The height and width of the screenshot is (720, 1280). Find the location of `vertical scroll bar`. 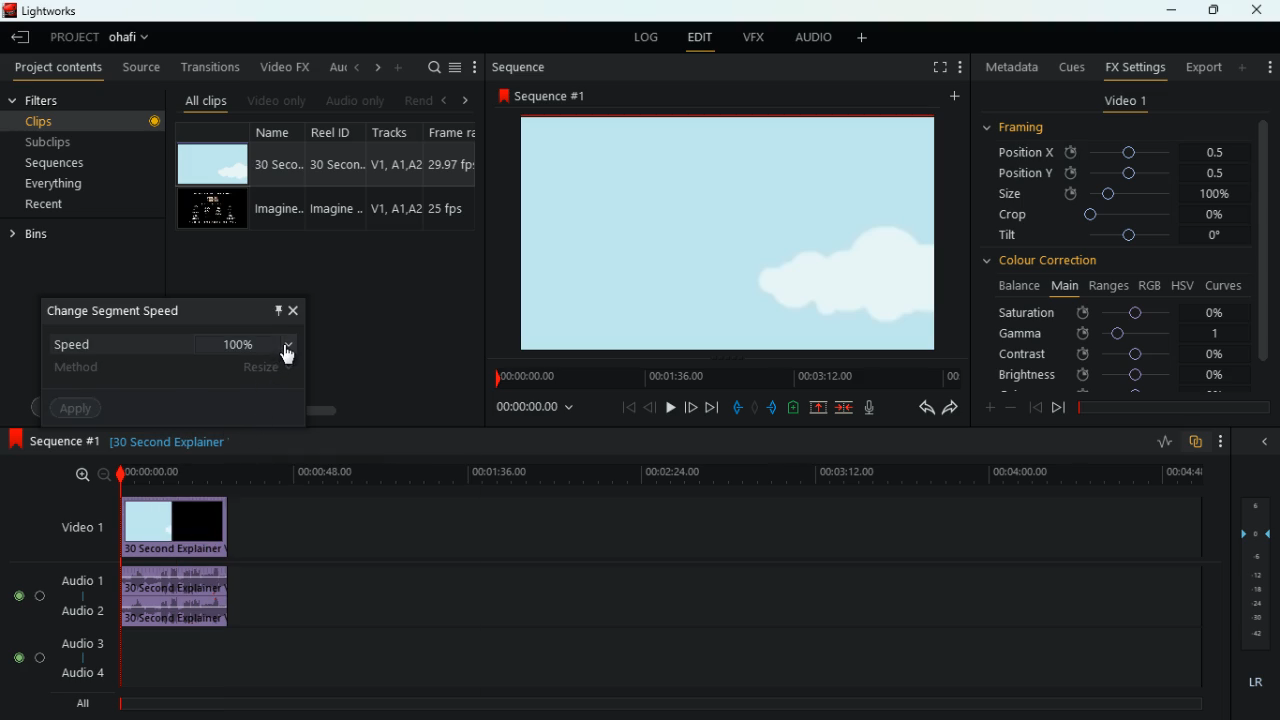

vertical scroll bar is located at coordinates (1264, 239).